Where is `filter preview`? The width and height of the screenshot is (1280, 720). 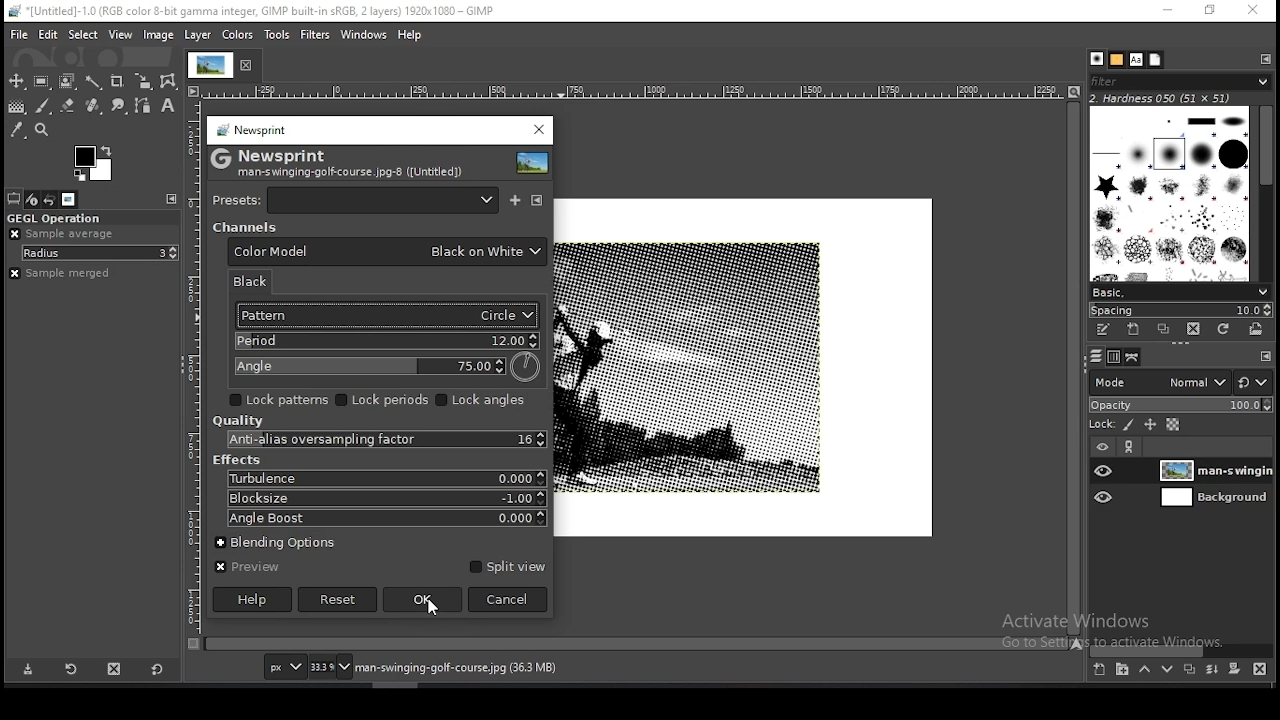 filter preview is located at coordinates (534, 162).